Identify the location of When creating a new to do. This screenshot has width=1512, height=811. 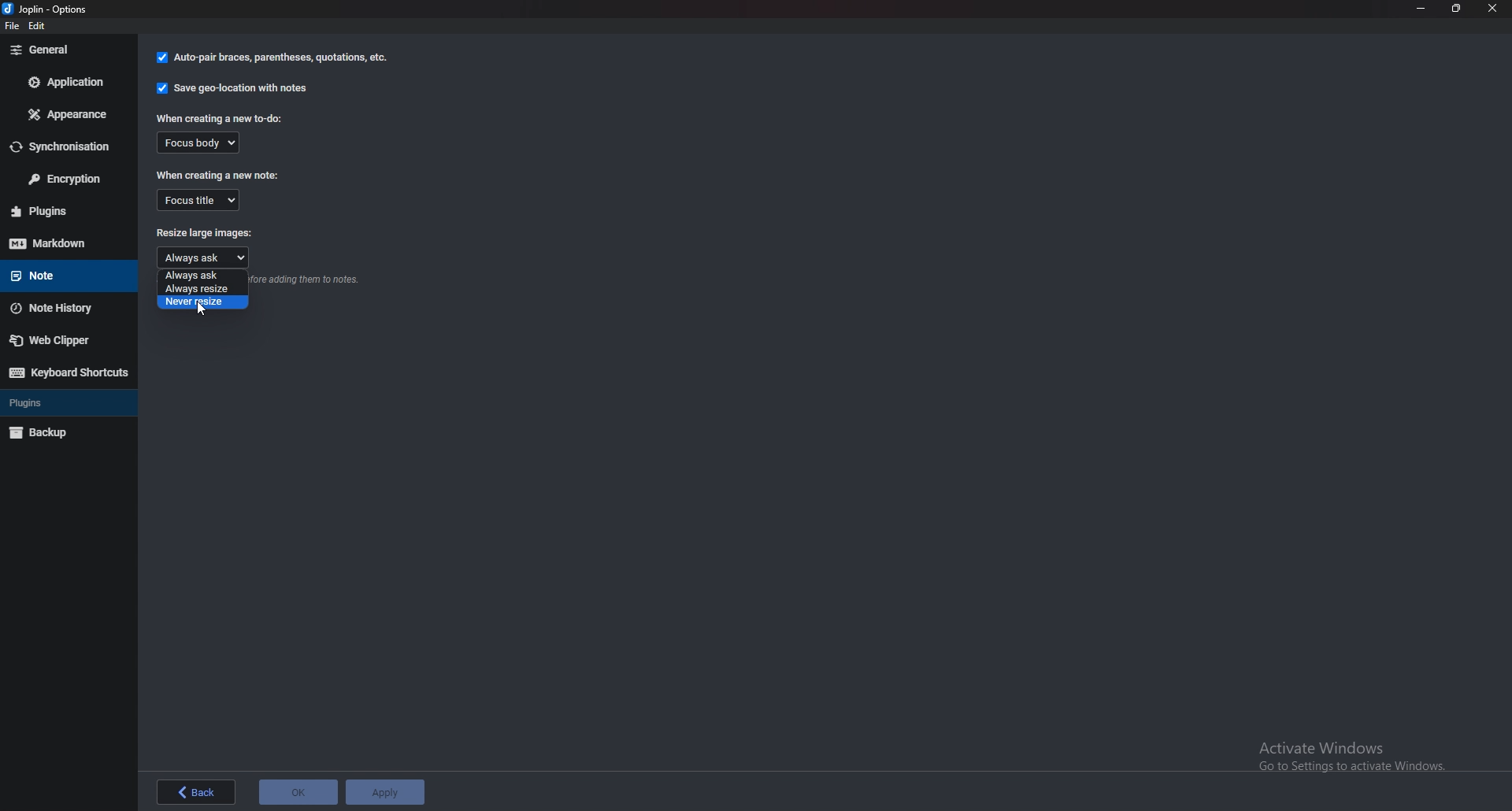
(220, 119).